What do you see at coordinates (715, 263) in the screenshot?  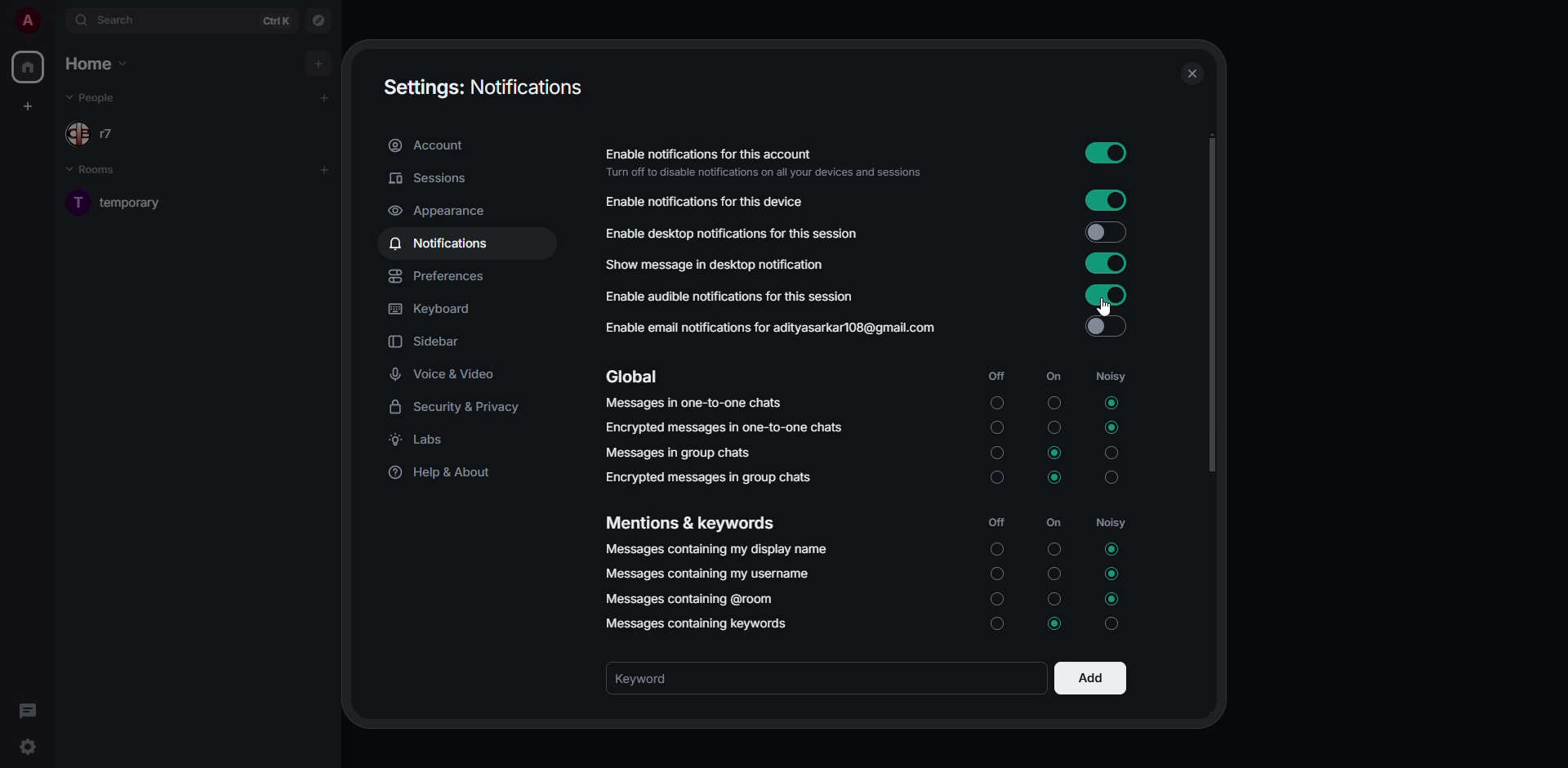 I see `show message in desktop notification` at bounding box center [715, 263].